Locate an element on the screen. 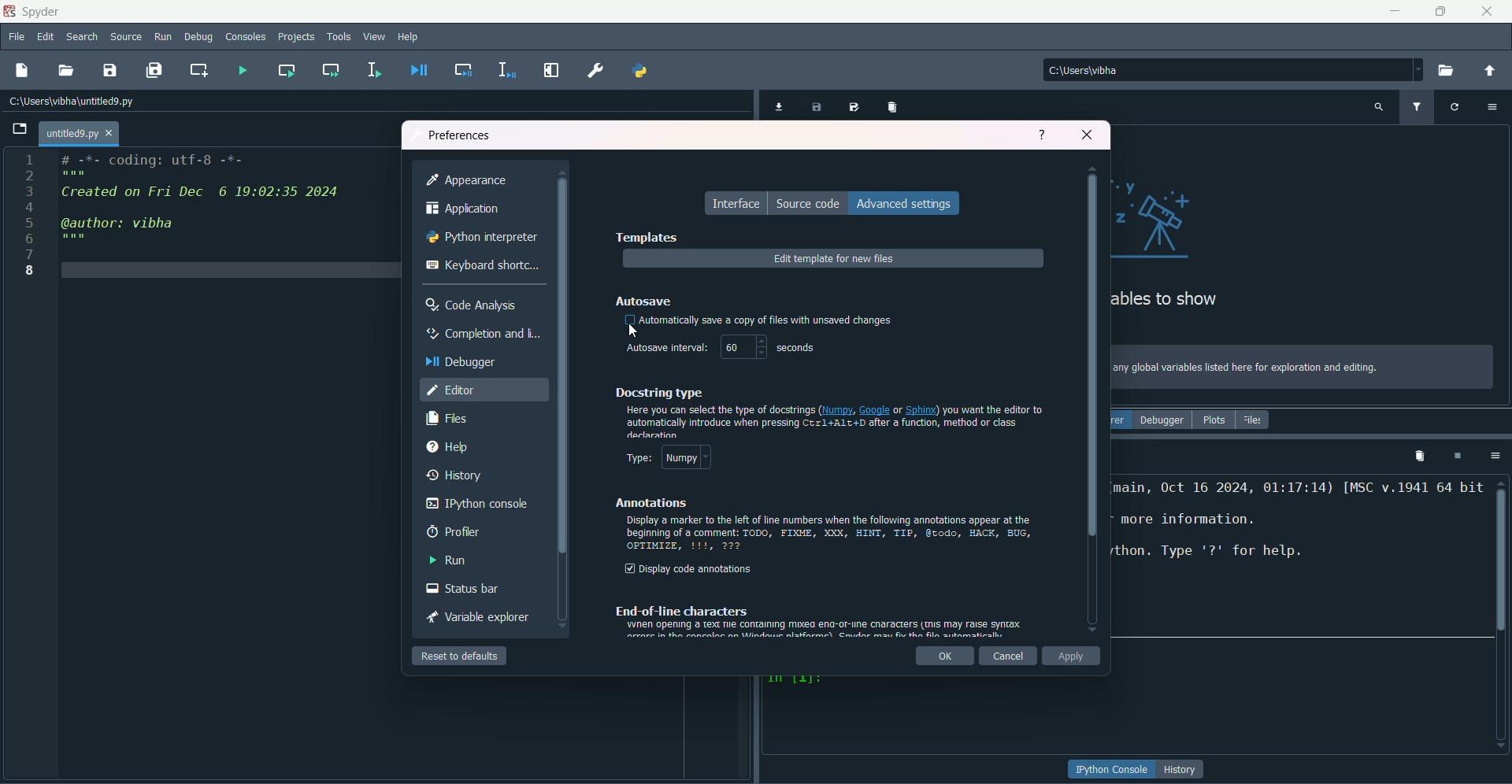 The width and height of the screenshot is (1512, 784). save all is located at coordinates (154, 70).